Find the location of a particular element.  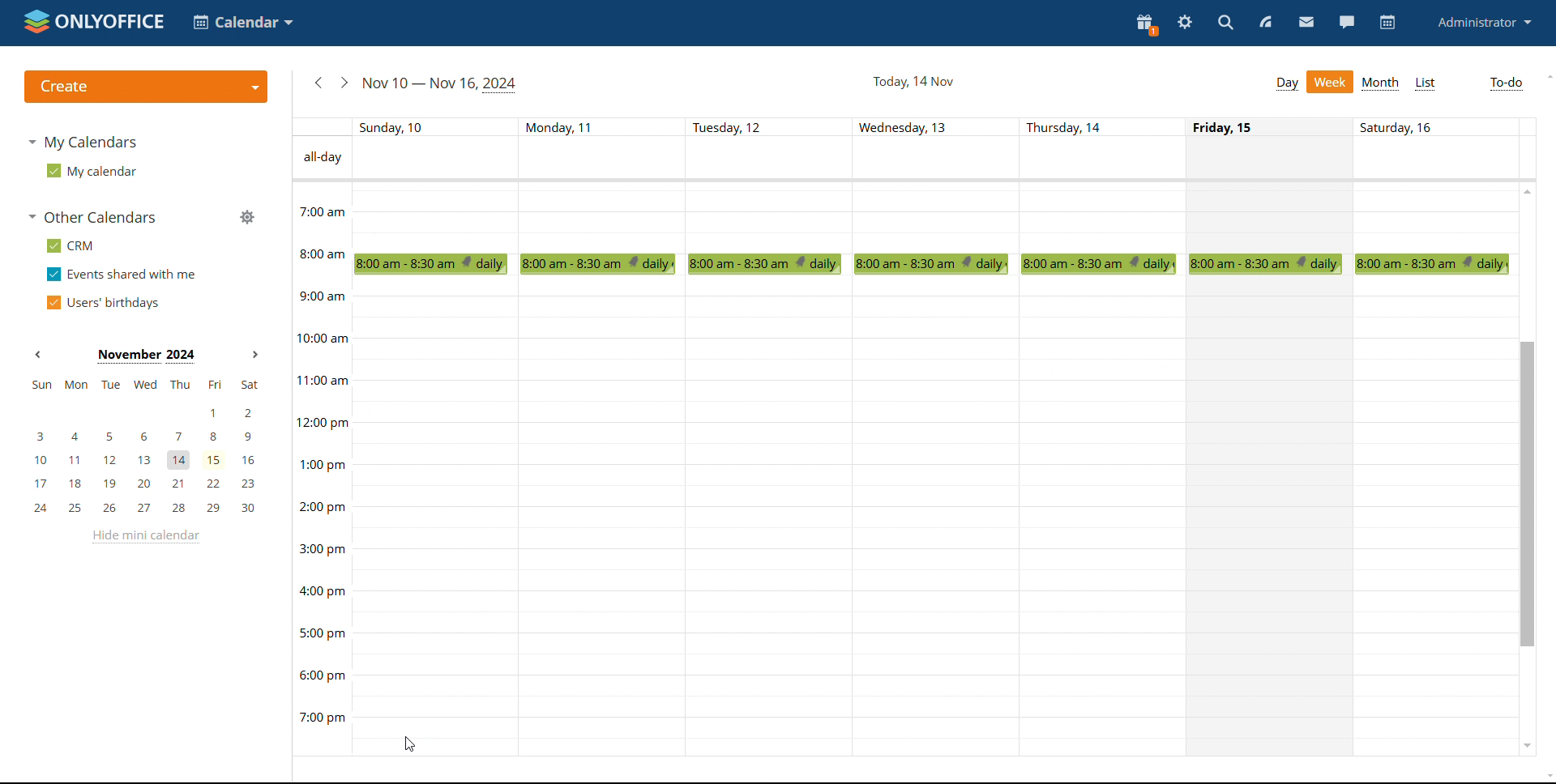

administrator is located at coordinates (1483, 21).